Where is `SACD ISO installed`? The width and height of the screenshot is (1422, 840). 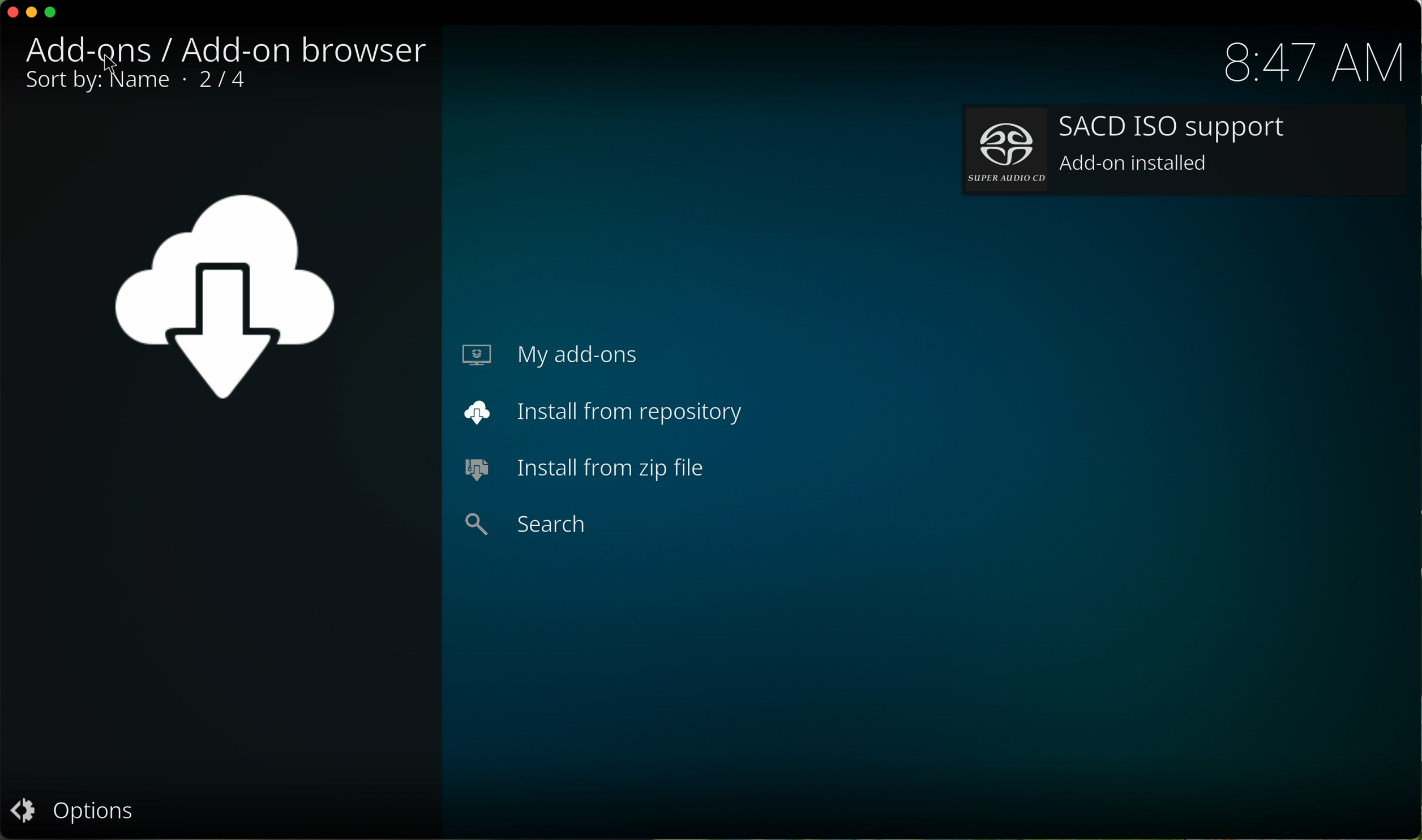 SACD ISO installed is located at coordinates (922, 468).